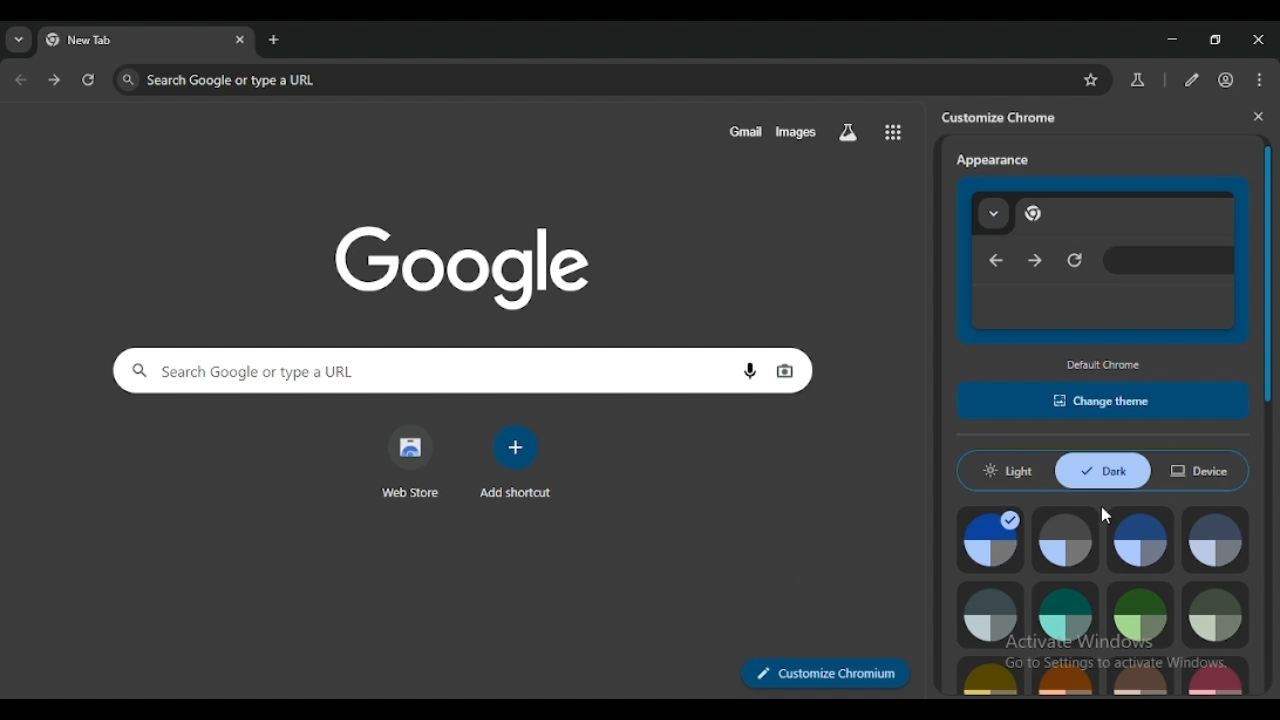 Image resolution: width=1280 pixels, height=720 pixels. What do you see at coordinates (893, 132) in the screenshot?
I see `google apps` at bounding box center [893, 132].